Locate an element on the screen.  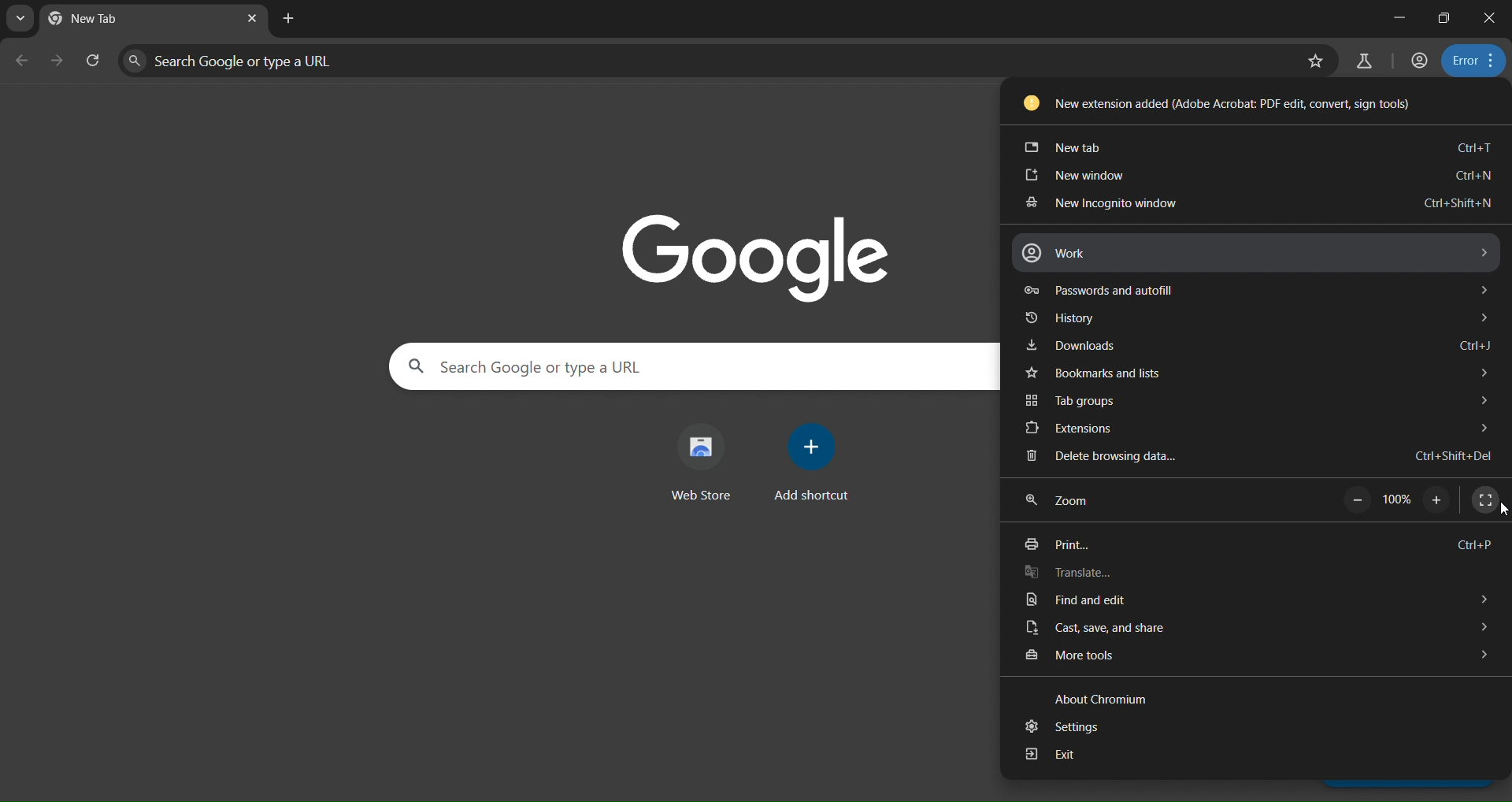
new tab is located at coordinates (289, 19).